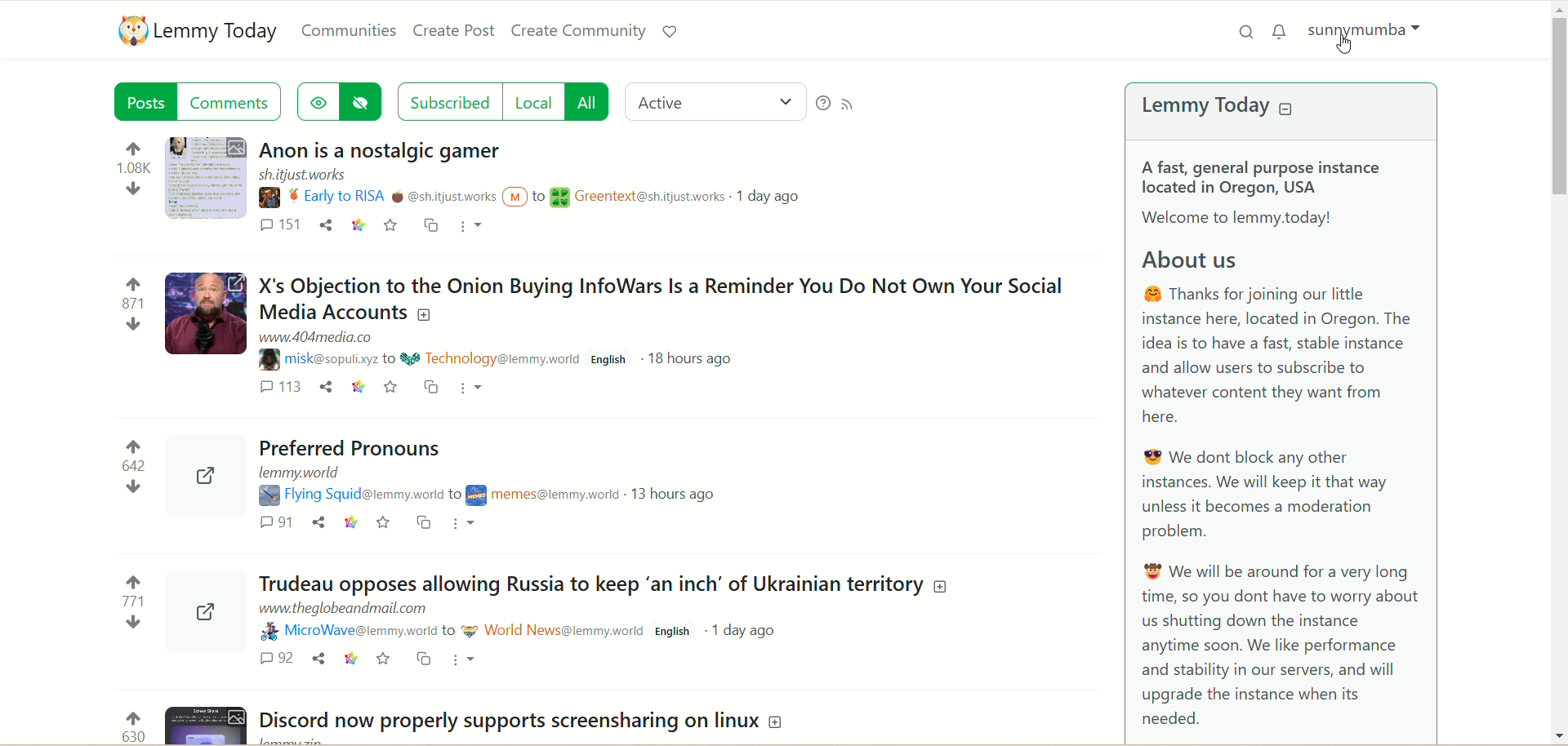 The image size is (1568, 746). Describe the element at coordinates (477, 388) in the screenshot. I see `More options` at that location.